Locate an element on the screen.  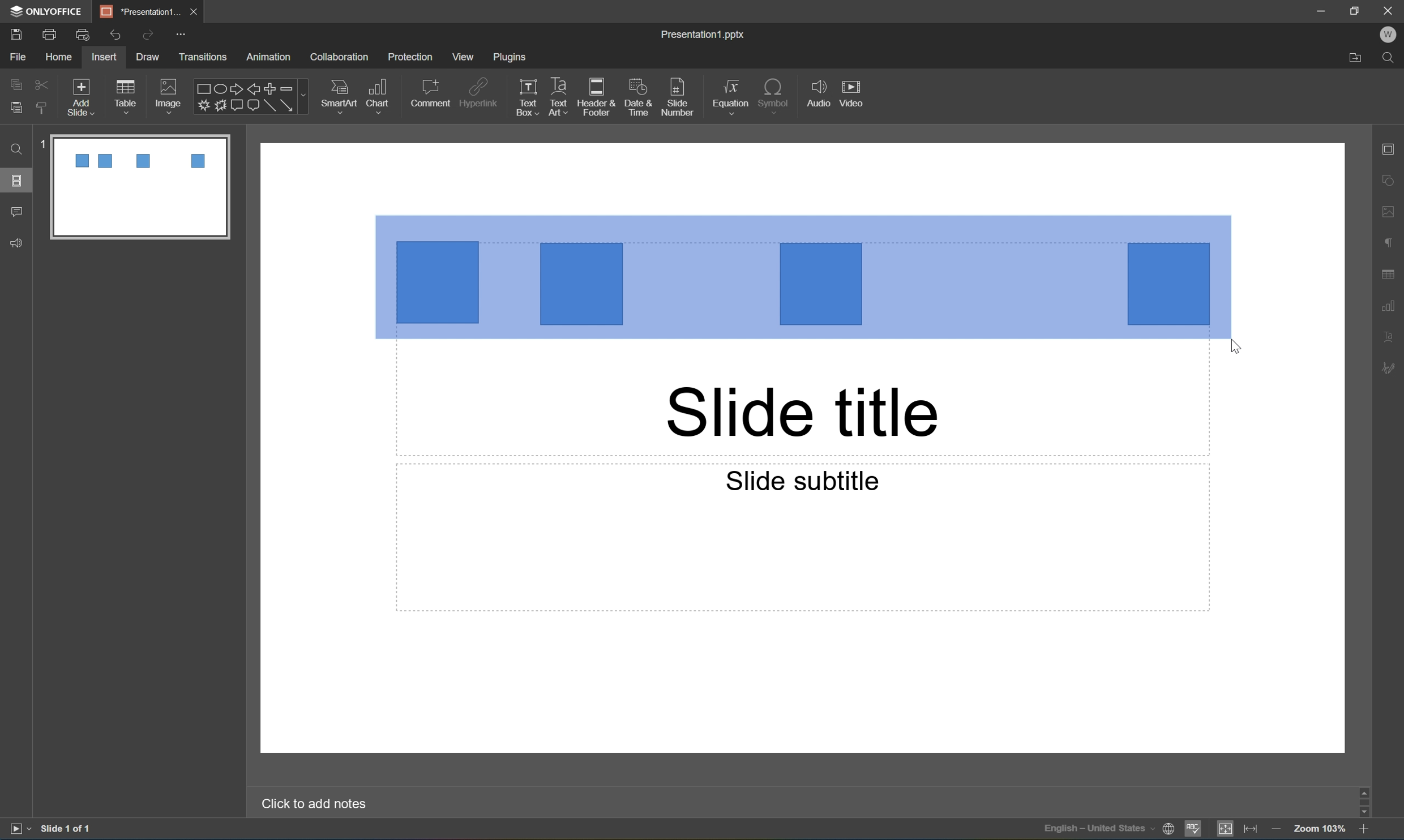
protection is located at coordinates (412, 58).